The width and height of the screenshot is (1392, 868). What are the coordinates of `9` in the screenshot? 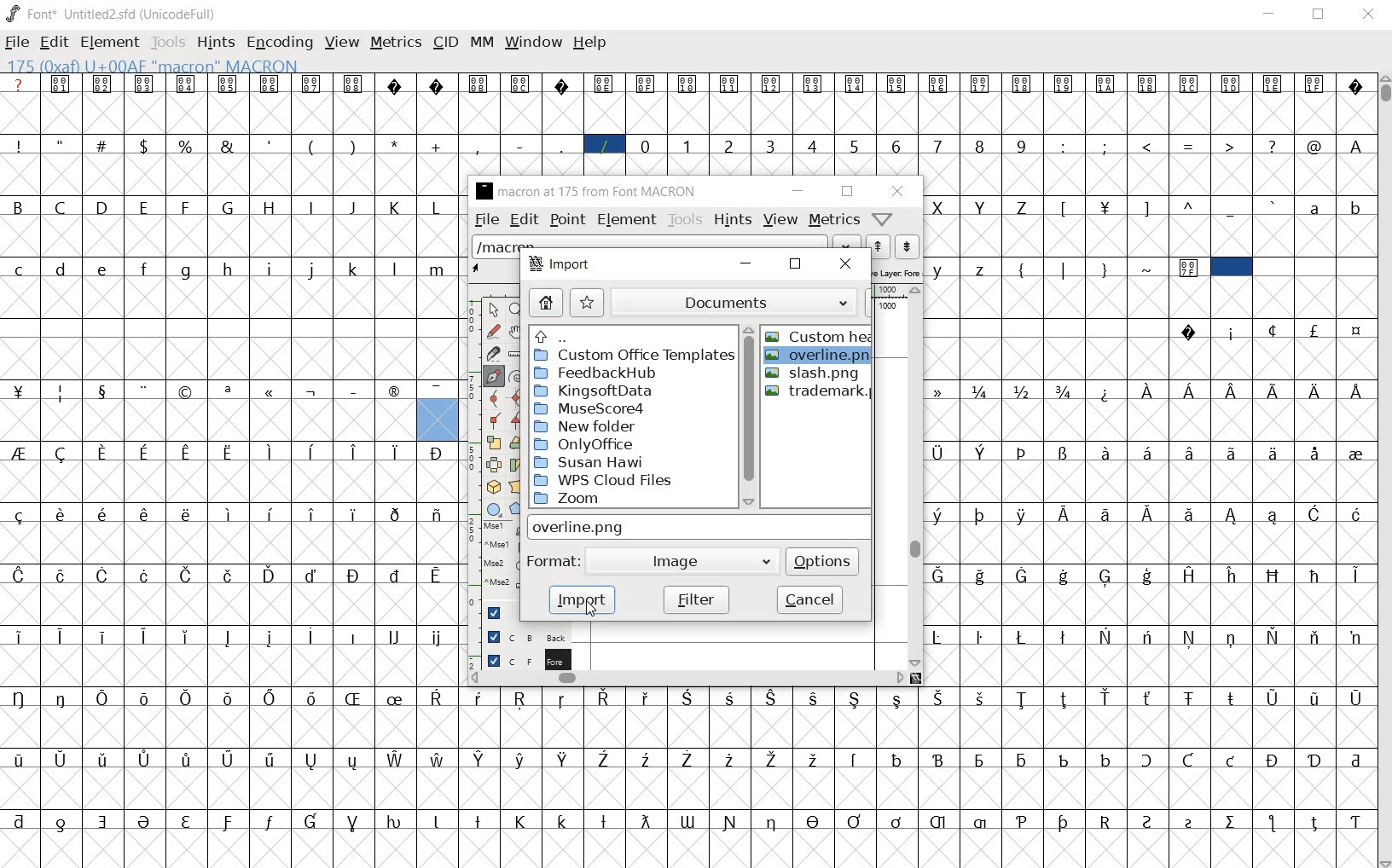 It's located at (1024, 145).